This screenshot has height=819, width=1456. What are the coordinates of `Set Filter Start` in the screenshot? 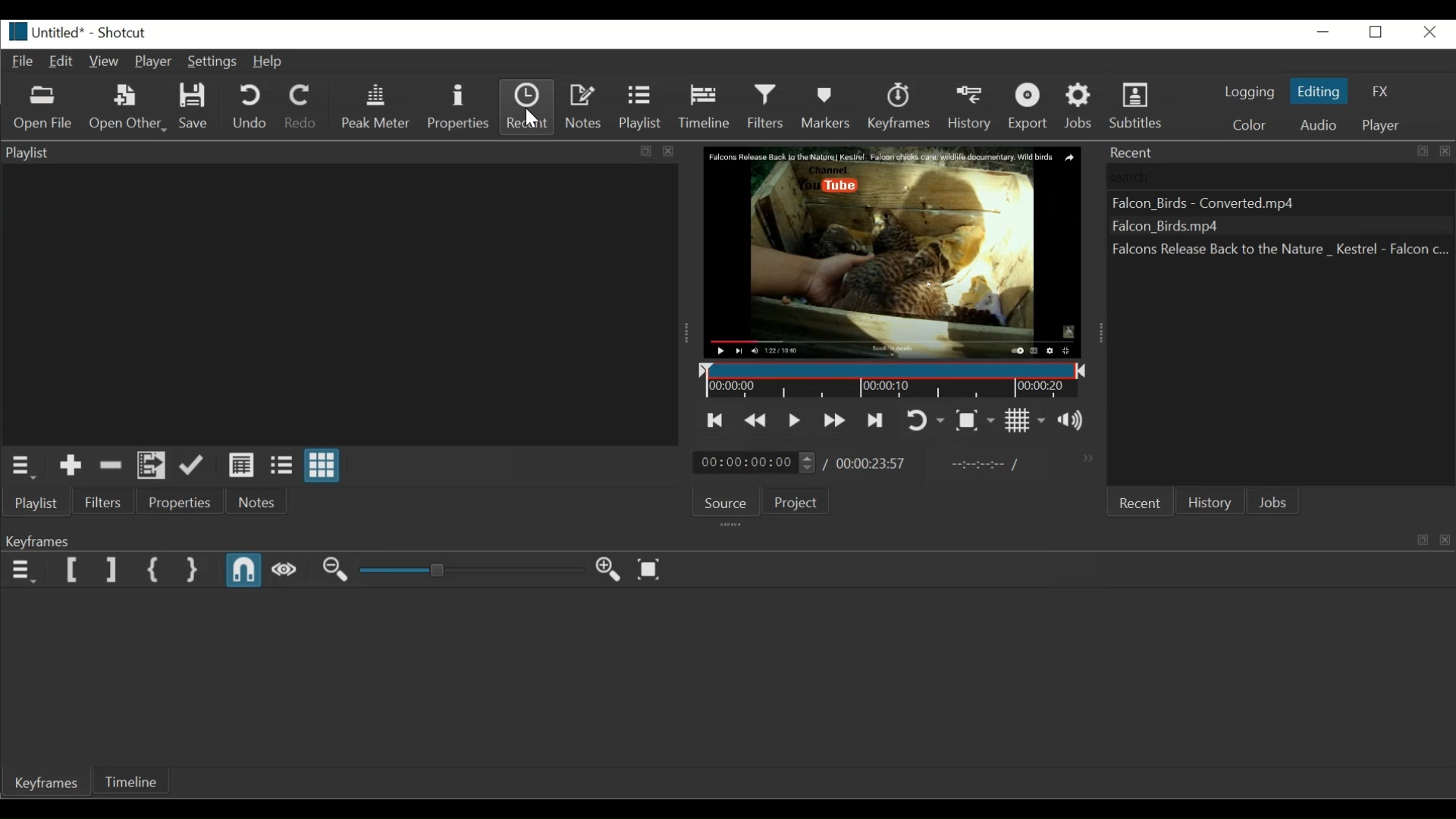 It's located at (71, 570).